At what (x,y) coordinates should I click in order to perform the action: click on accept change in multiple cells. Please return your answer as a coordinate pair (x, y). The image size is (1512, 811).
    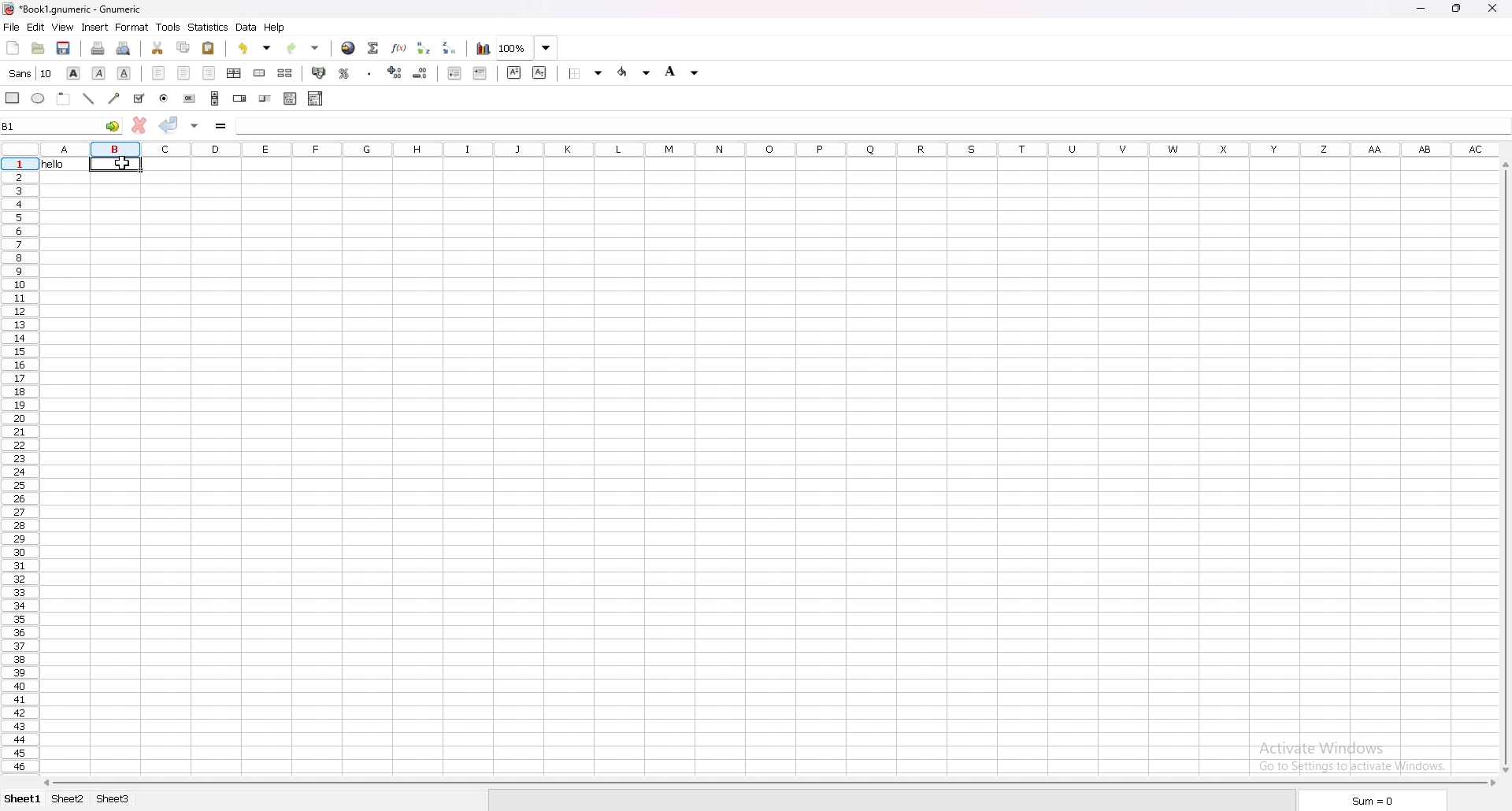
    Looking at the image, I should click on (195, 125).